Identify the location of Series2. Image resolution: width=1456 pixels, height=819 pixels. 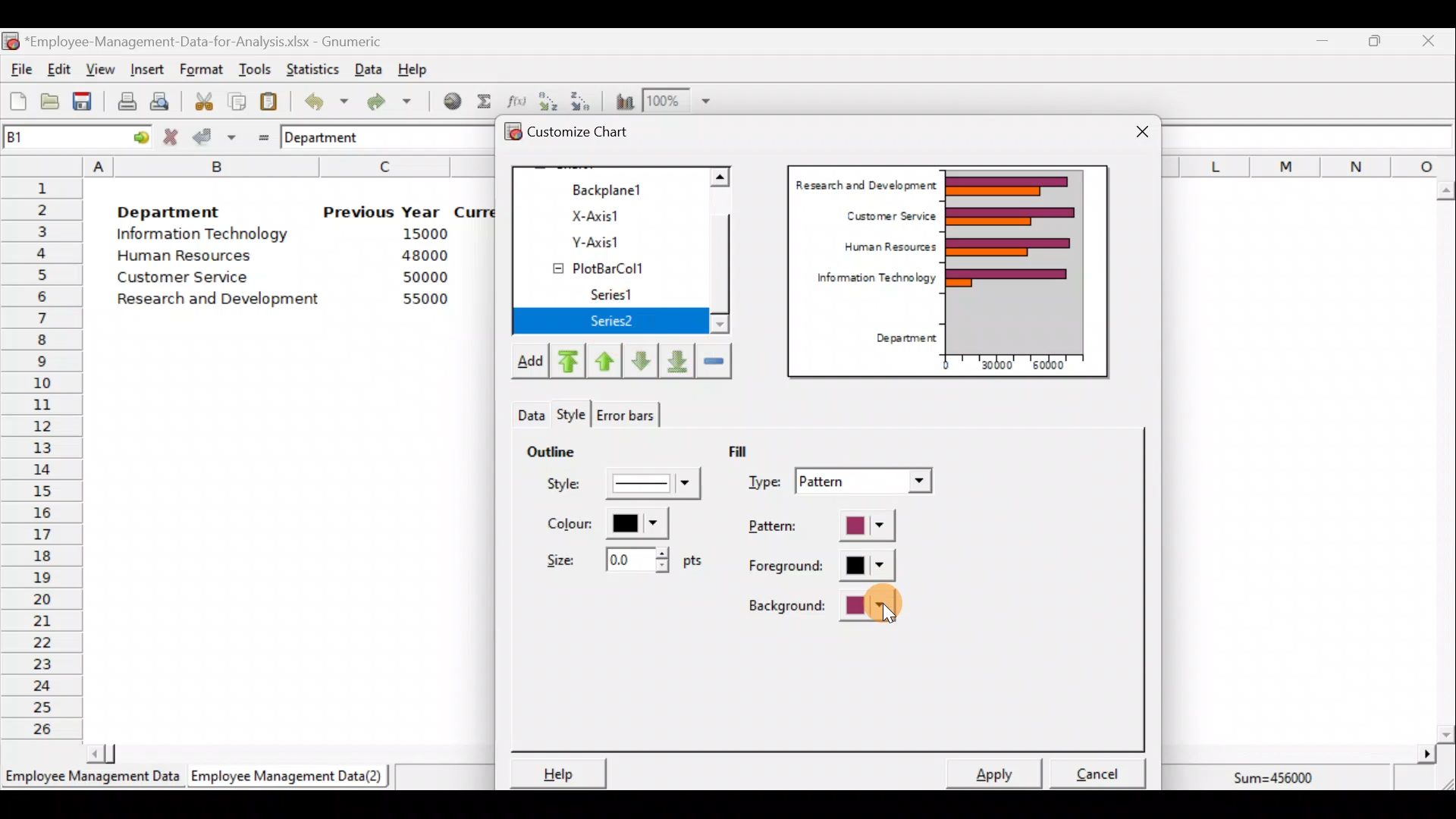
(615, 322).